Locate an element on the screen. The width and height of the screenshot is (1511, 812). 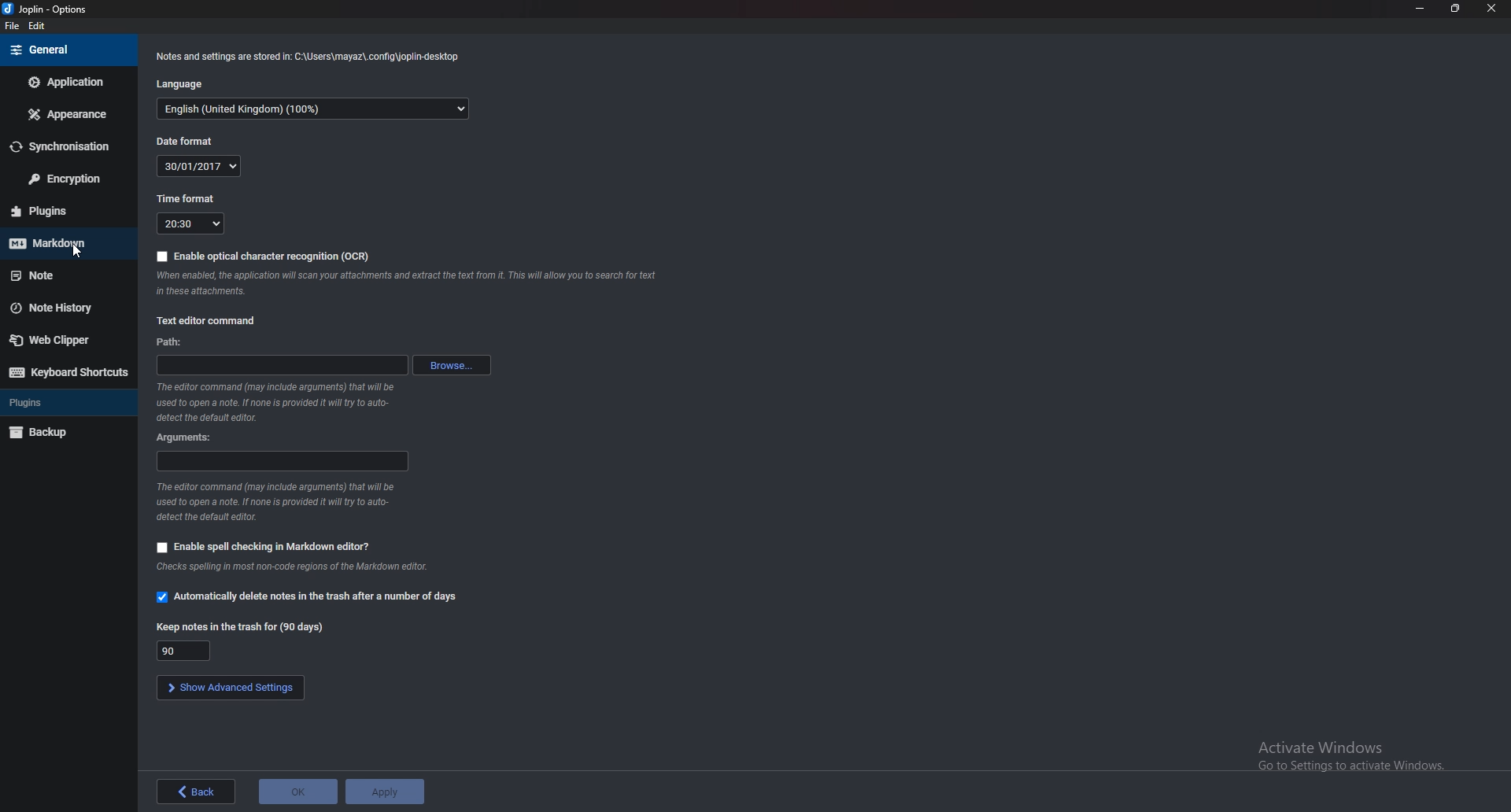
Application is located at coordinates (68, 83).